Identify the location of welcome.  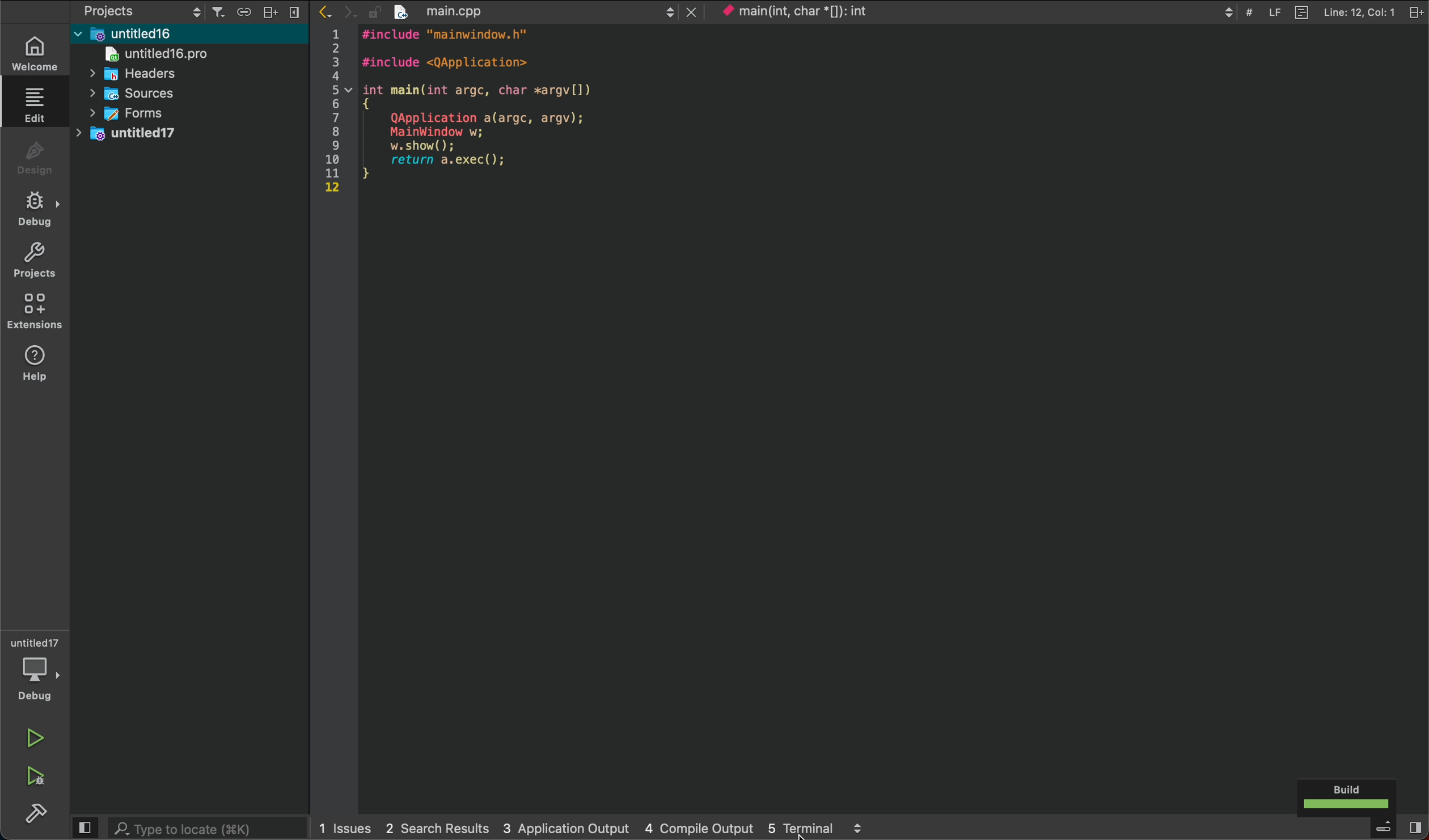
(33, 54).